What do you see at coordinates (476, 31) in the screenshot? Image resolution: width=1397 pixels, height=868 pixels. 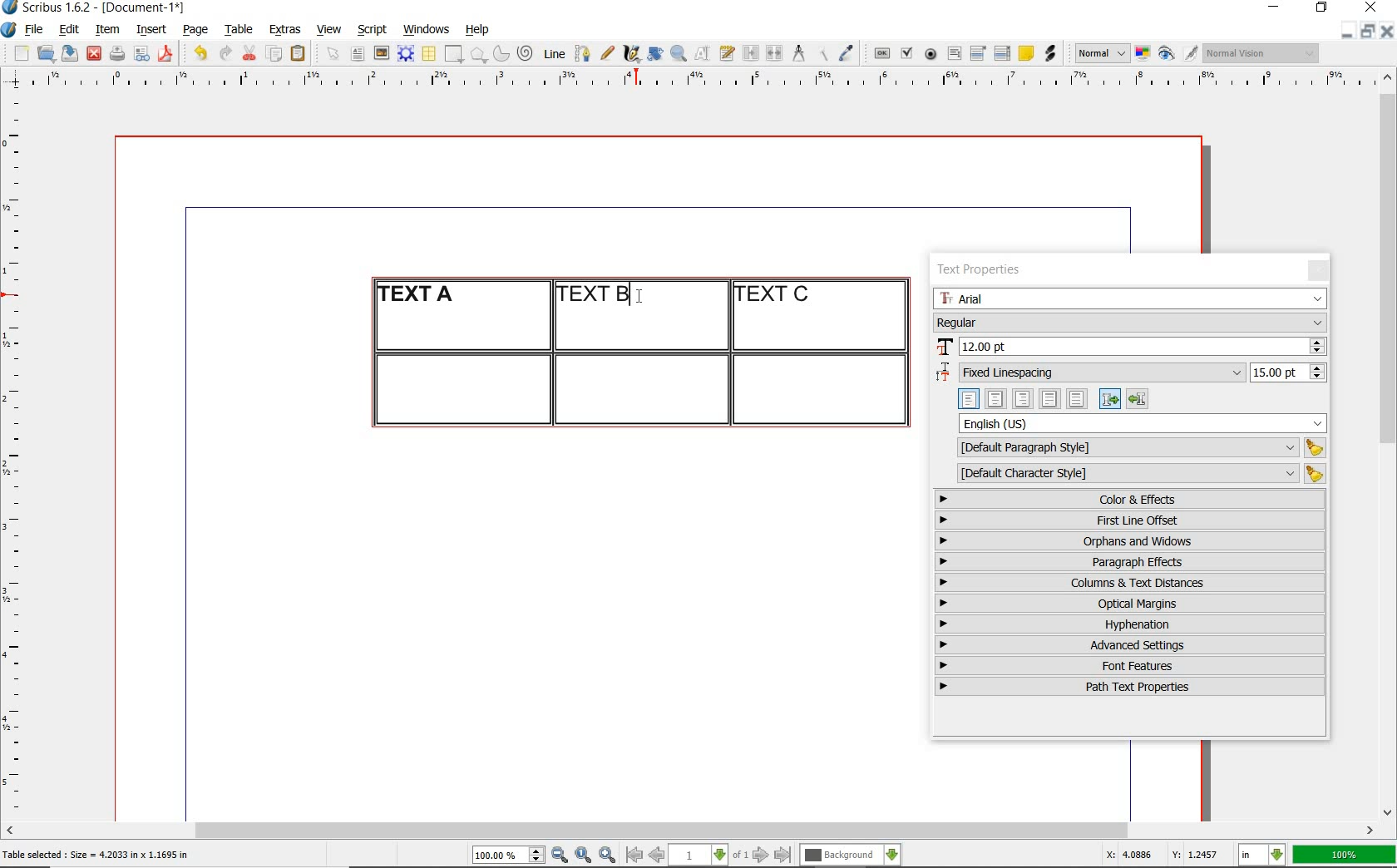 I see `help` at bounding box center [476, 31].